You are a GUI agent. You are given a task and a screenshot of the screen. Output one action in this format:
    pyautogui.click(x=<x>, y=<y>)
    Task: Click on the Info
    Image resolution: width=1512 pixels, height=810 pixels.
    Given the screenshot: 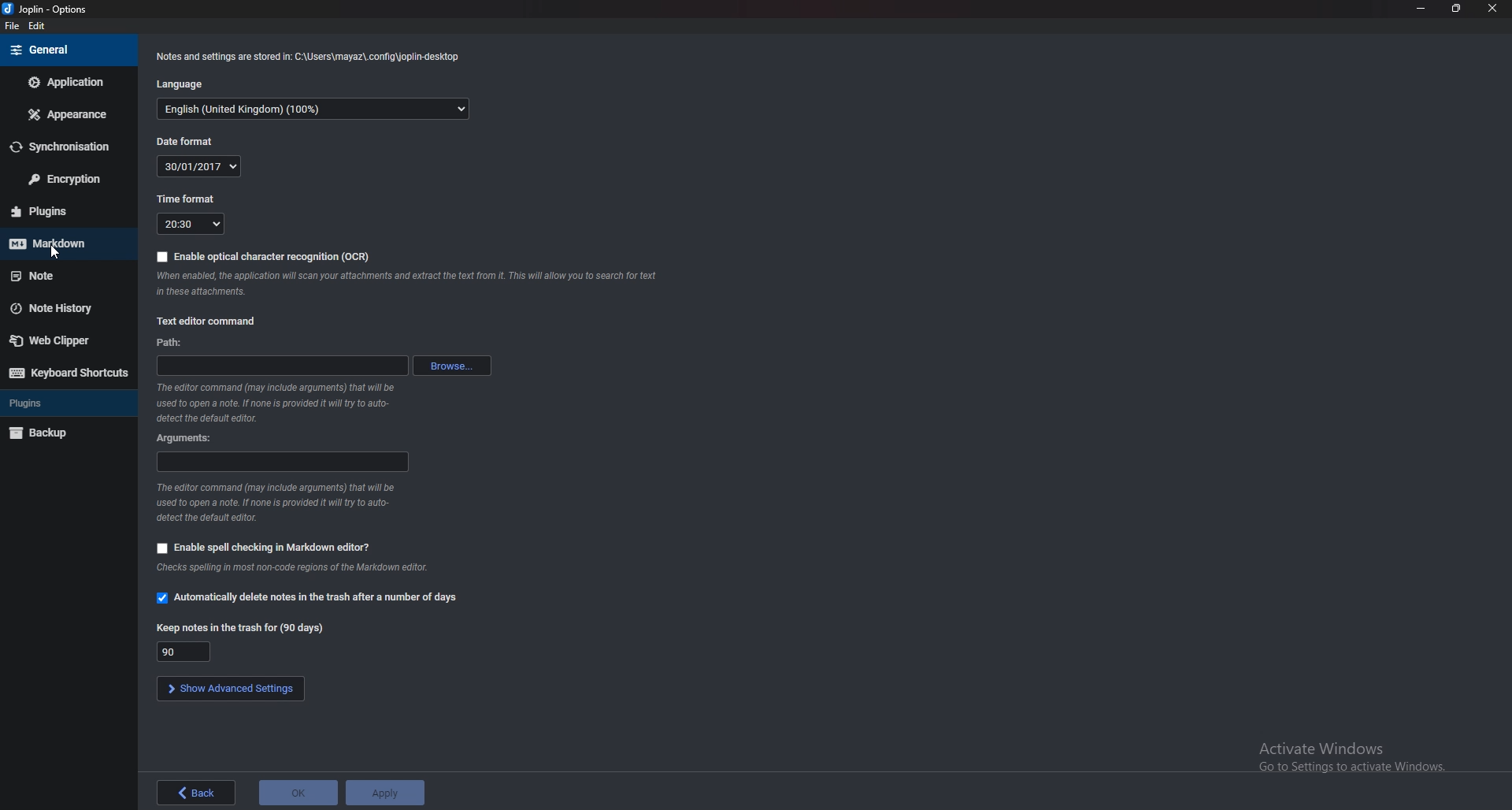 What is the action you would take?
    pyautogui.click(x=275, y=402)
    